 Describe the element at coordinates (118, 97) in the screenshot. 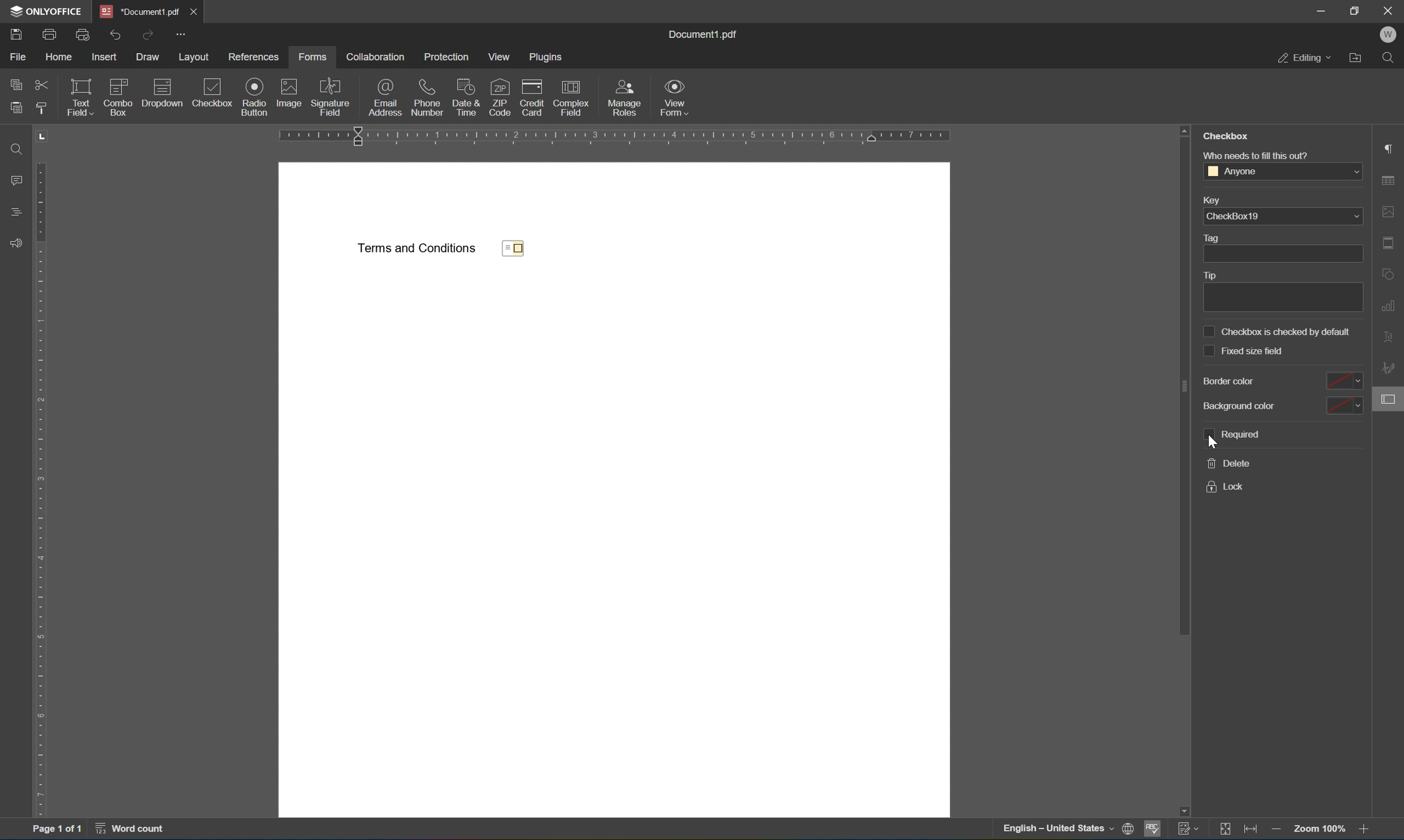

I see `combo box` at that location.